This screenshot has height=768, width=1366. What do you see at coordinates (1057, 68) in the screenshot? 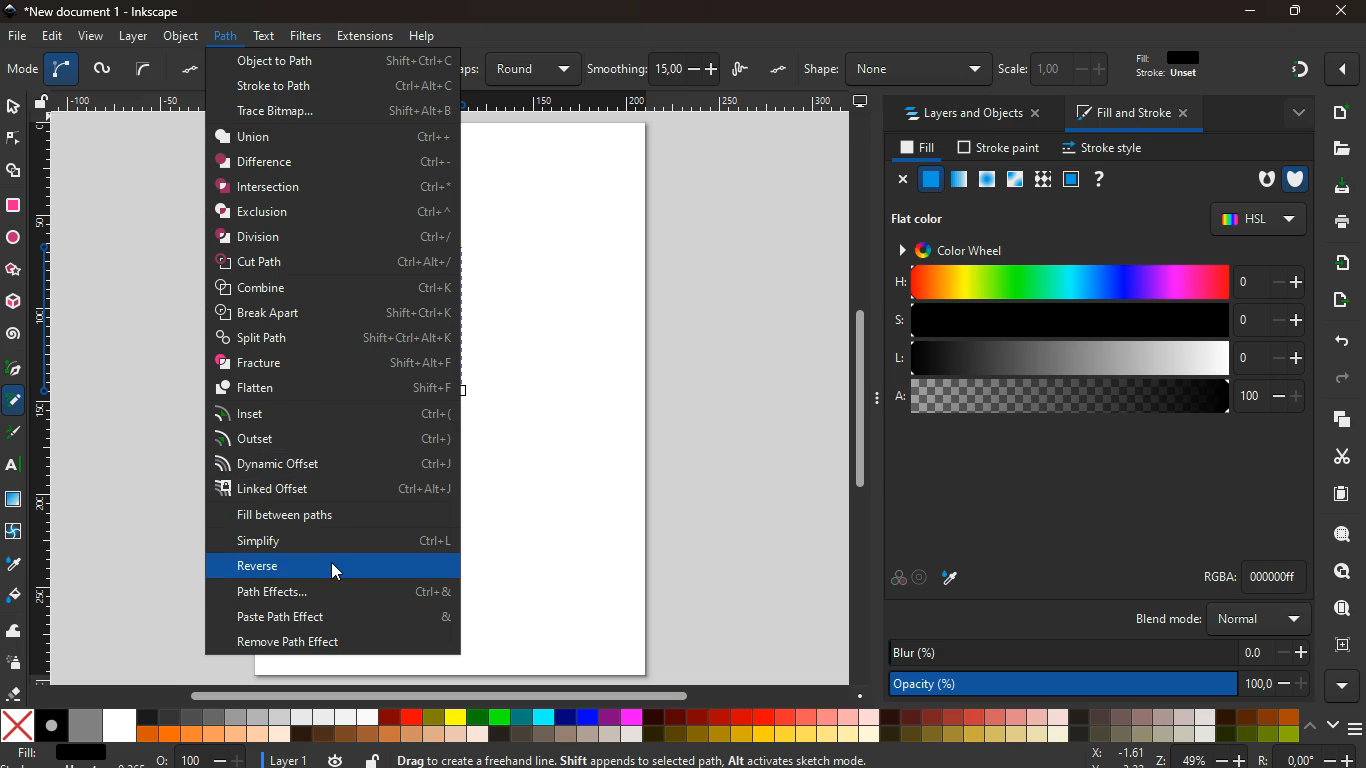
I see `scale` at bounding box center [1057, 68].